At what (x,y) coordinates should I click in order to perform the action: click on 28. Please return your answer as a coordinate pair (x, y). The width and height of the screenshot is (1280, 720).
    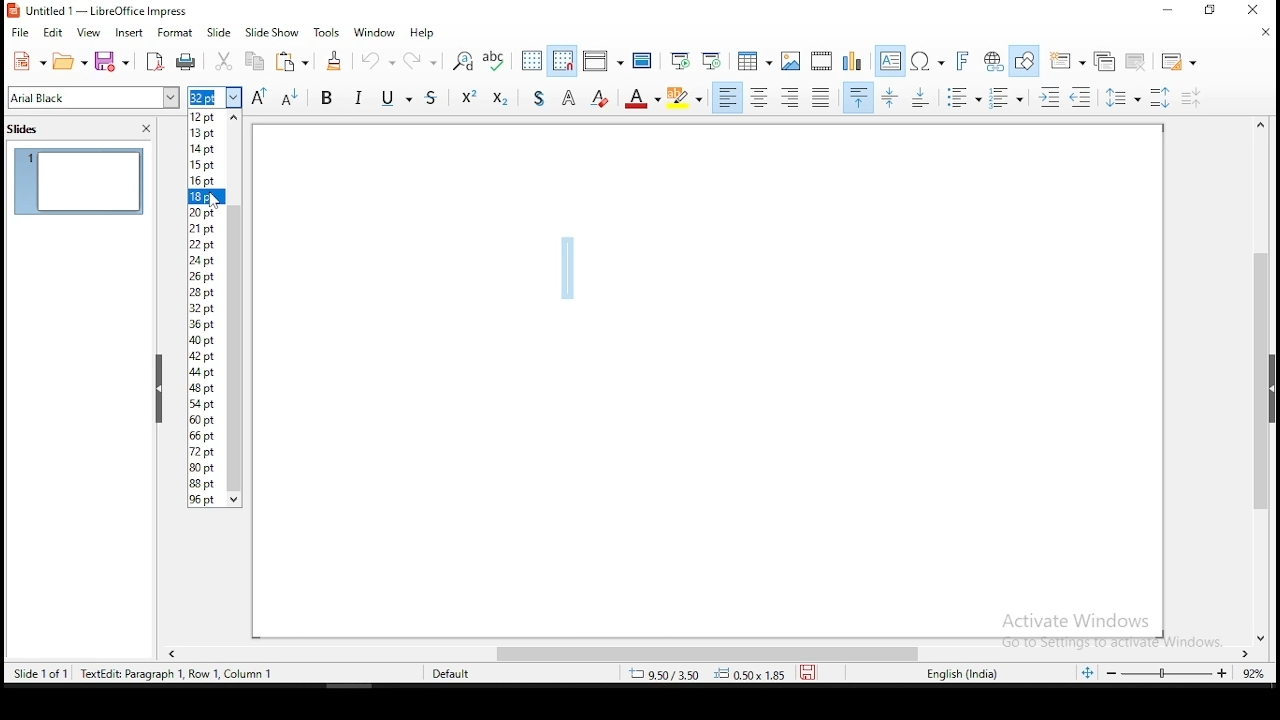
    Looking at the image, I should click on (206, 291).